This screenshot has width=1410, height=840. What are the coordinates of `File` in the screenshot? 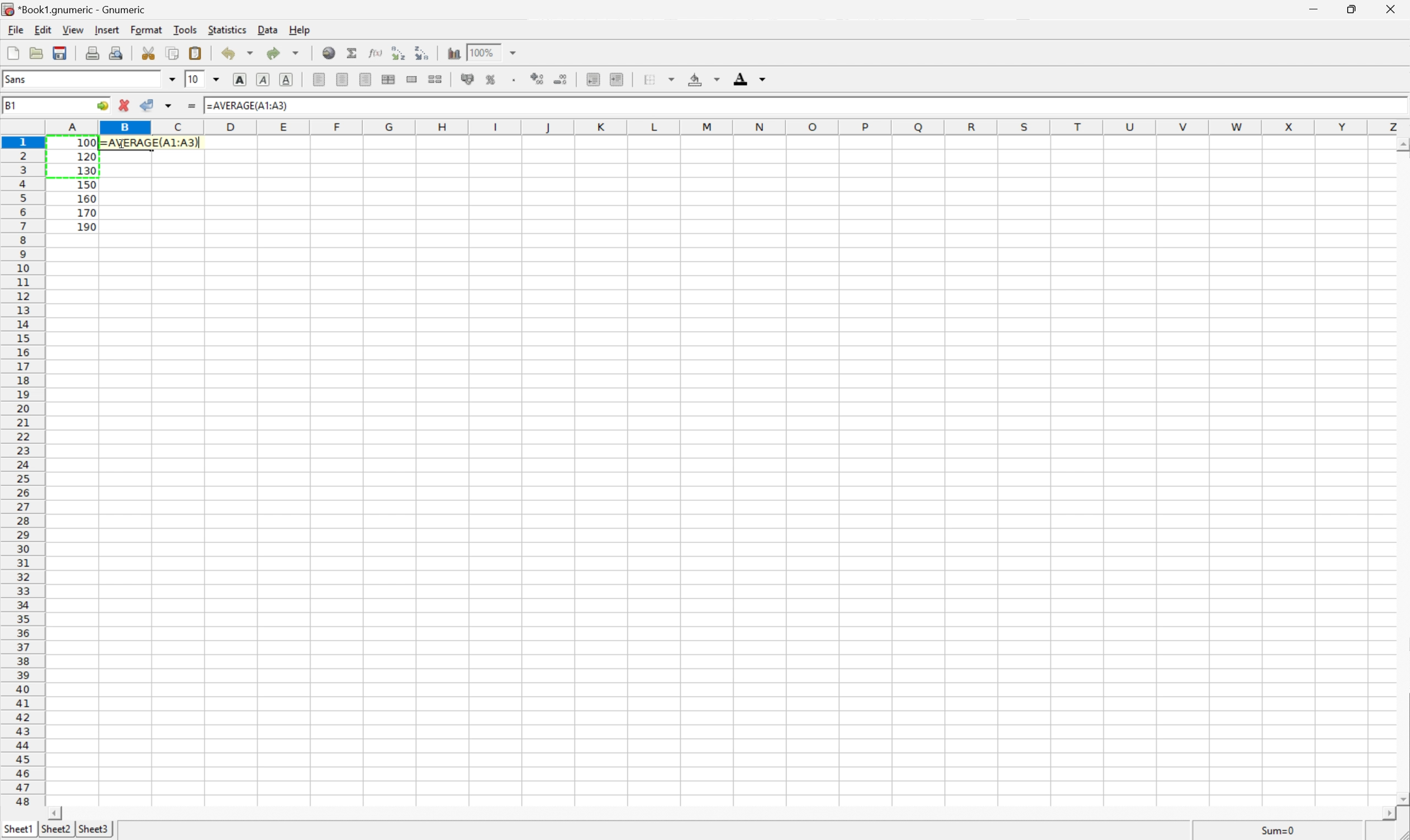 It's located at (15, 30).